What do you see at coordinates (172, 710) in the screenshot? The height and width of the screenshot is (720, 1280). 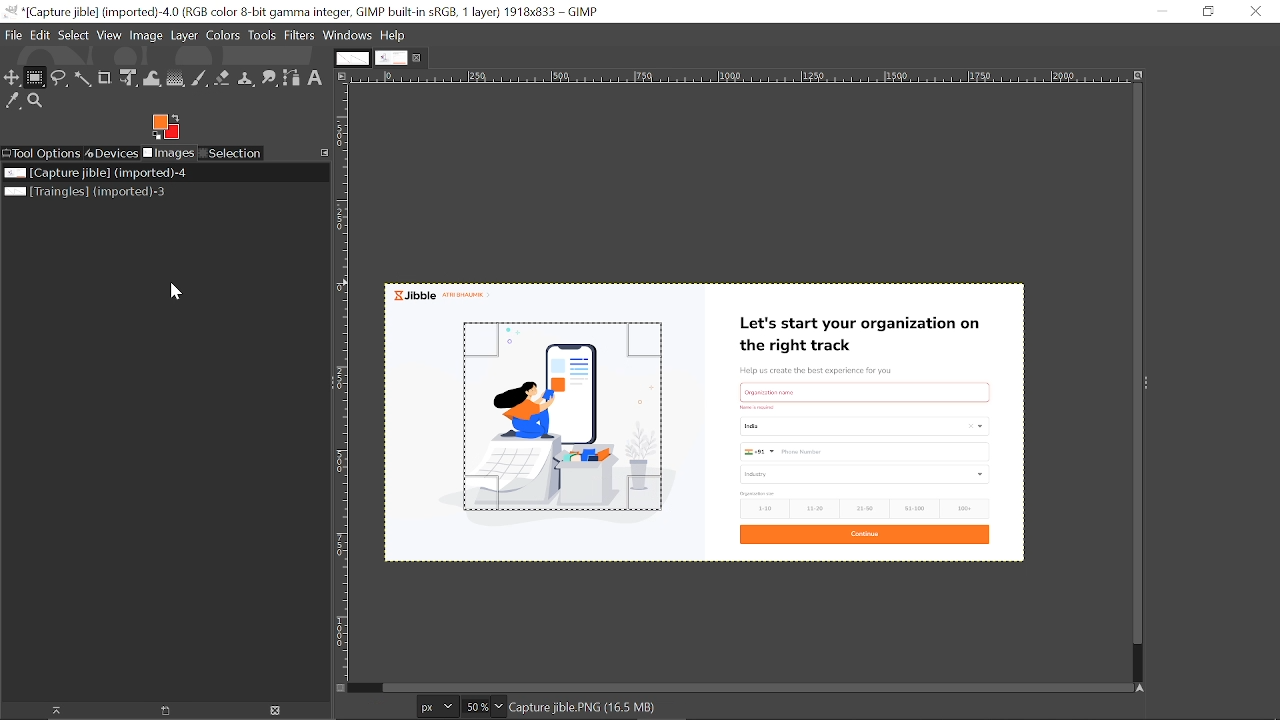 I see `Create a new display for this image` at bounding box center [172, 710].